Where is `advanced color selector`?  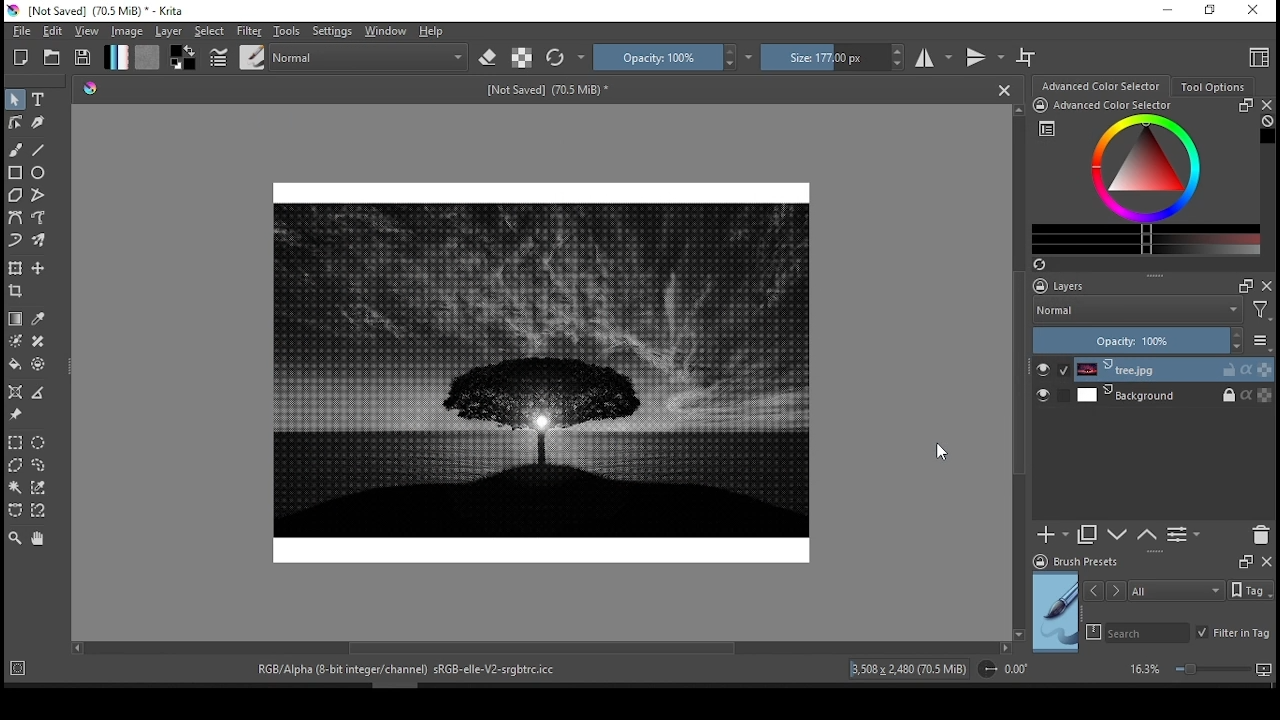 advanced color selector is located at coordinates (1143, 185).